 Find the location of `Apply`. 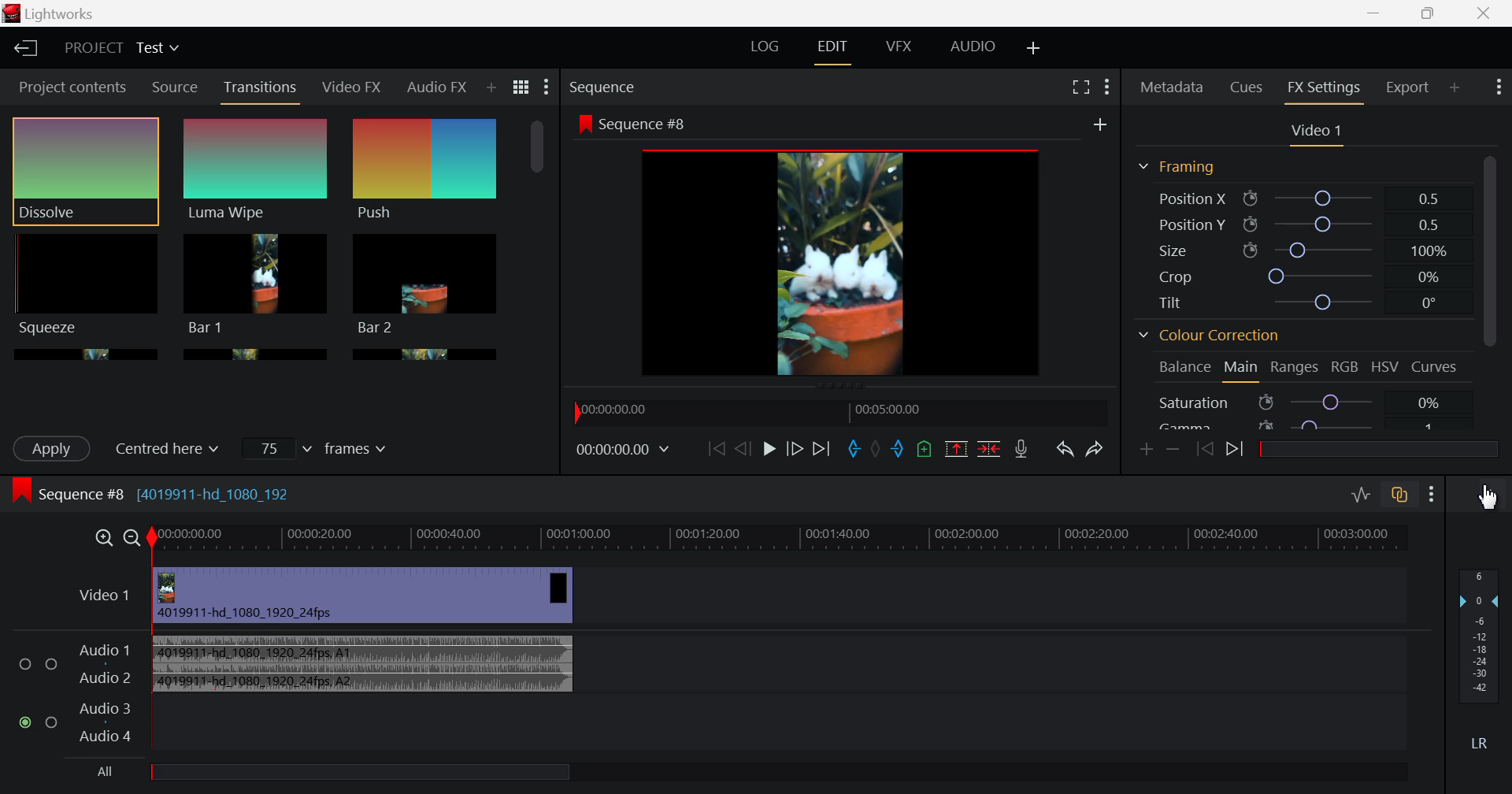

Apply is located at coordinates (54, 448).